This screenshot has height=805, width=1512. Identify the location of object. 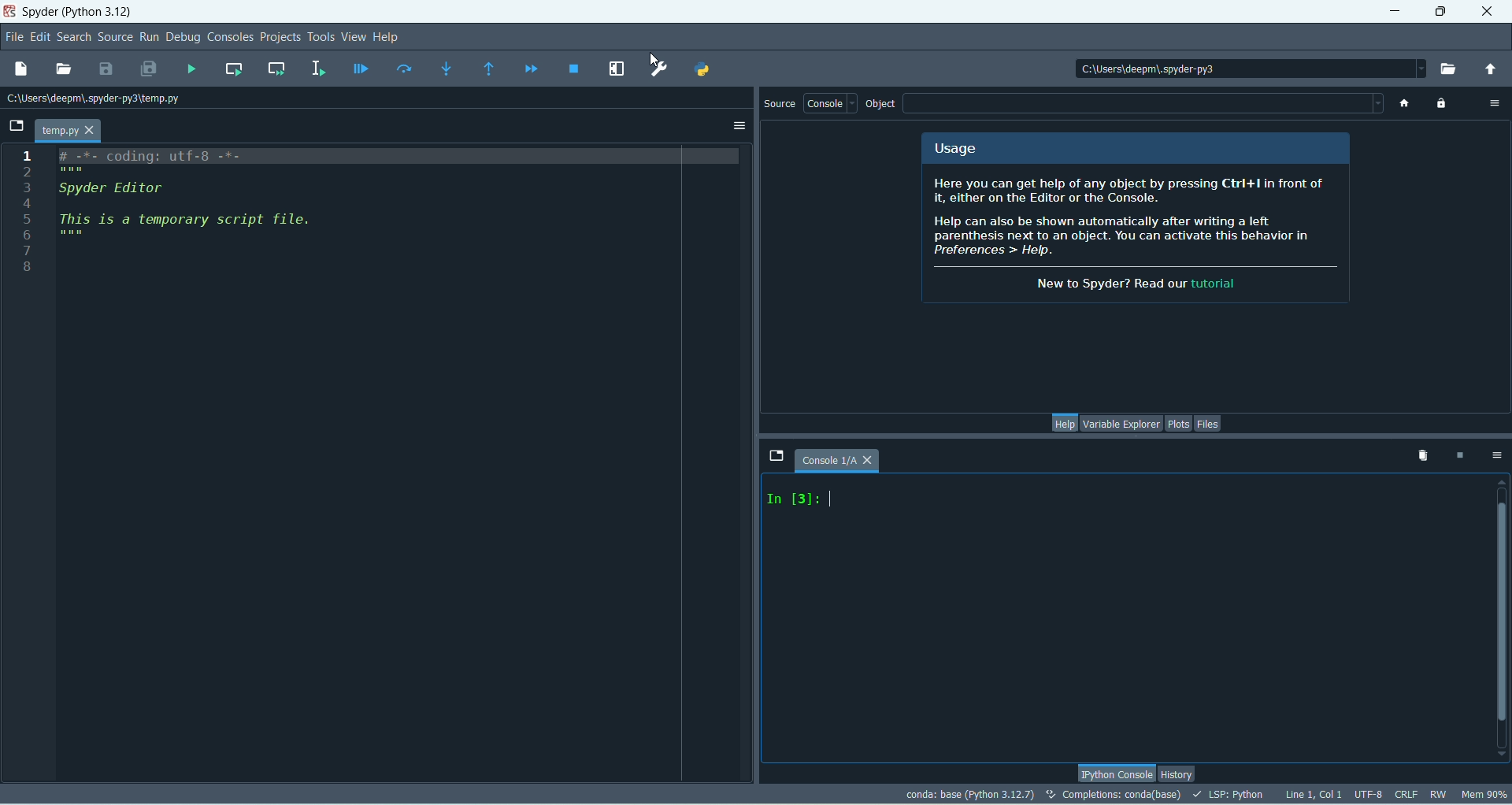
(883, 105).